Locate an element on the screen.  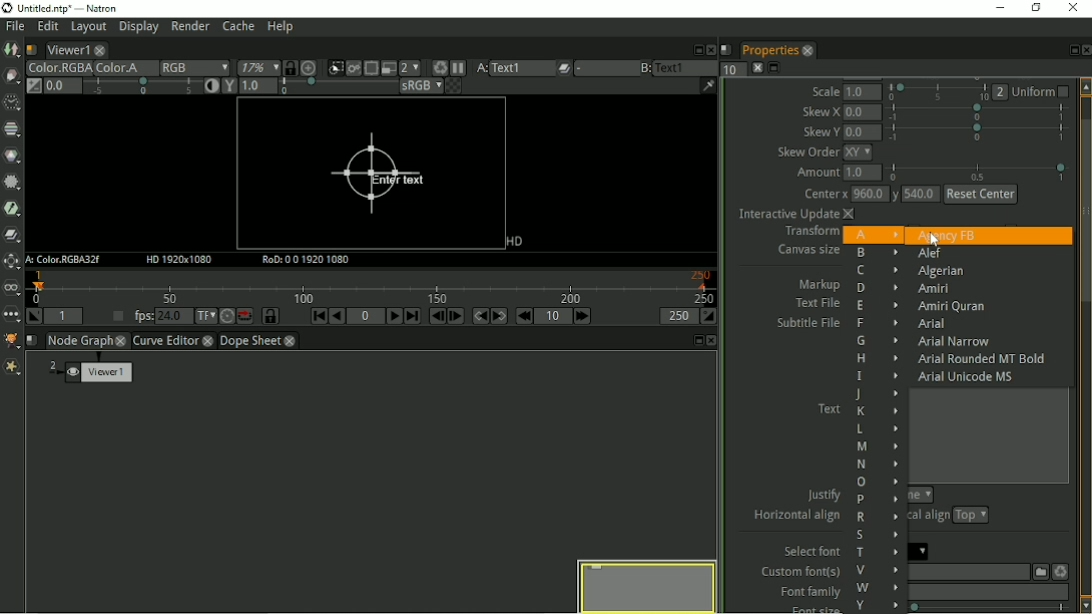
close is located at coordinates (209, 342).